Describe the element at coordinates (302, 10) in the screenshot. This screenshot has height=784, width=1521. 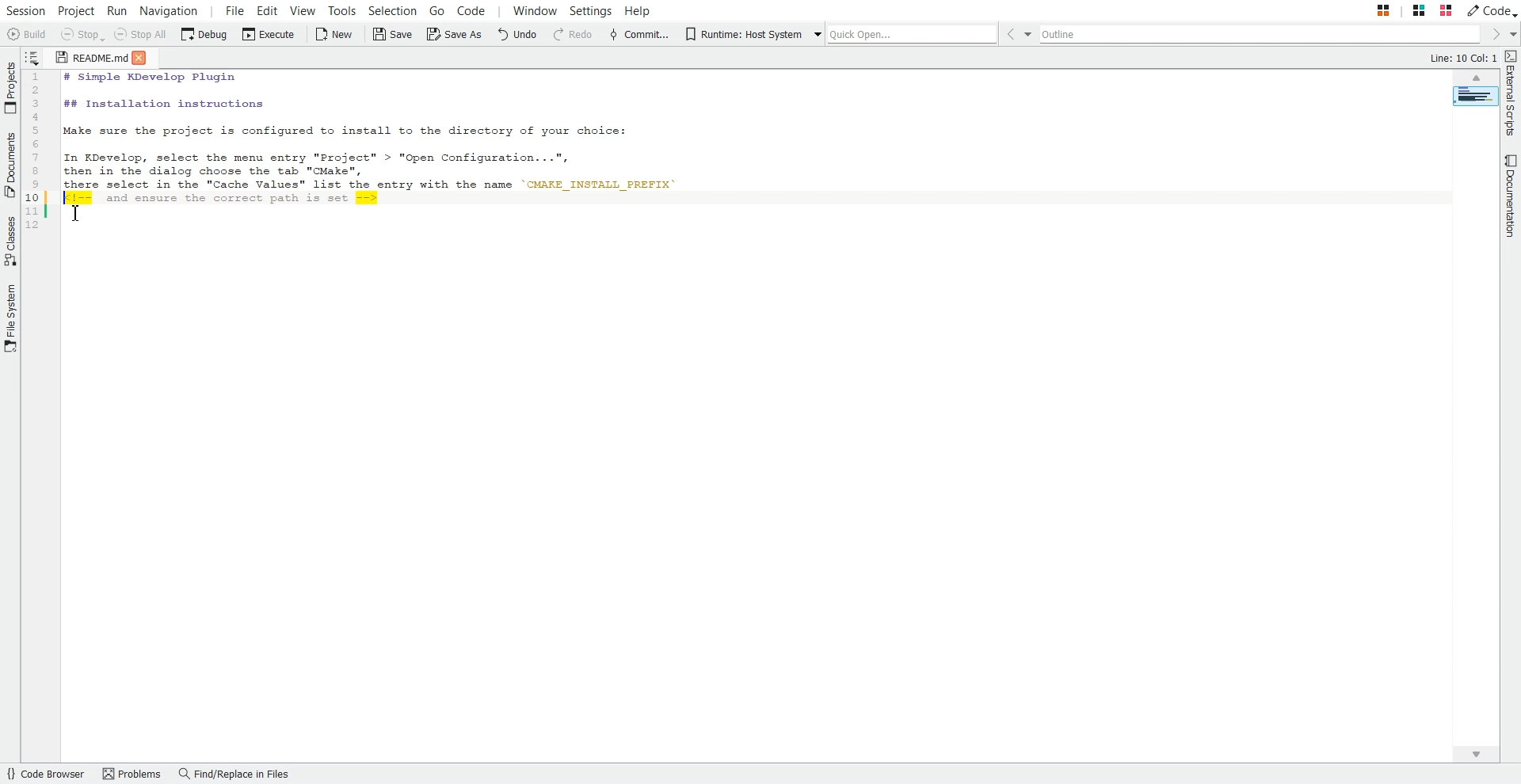
I see `View` at that location.